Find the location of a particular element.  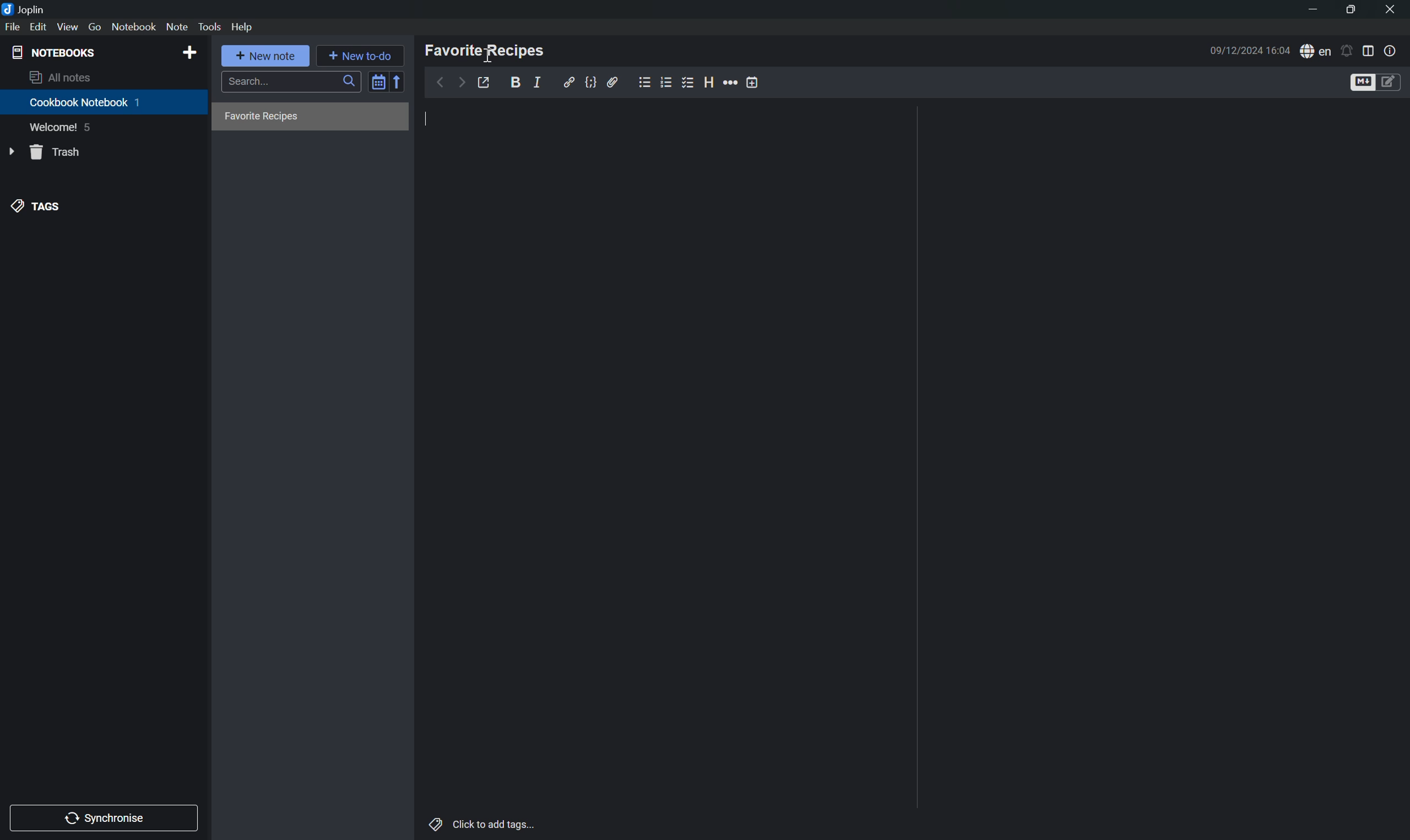

View is located at coordinates (68, 27).